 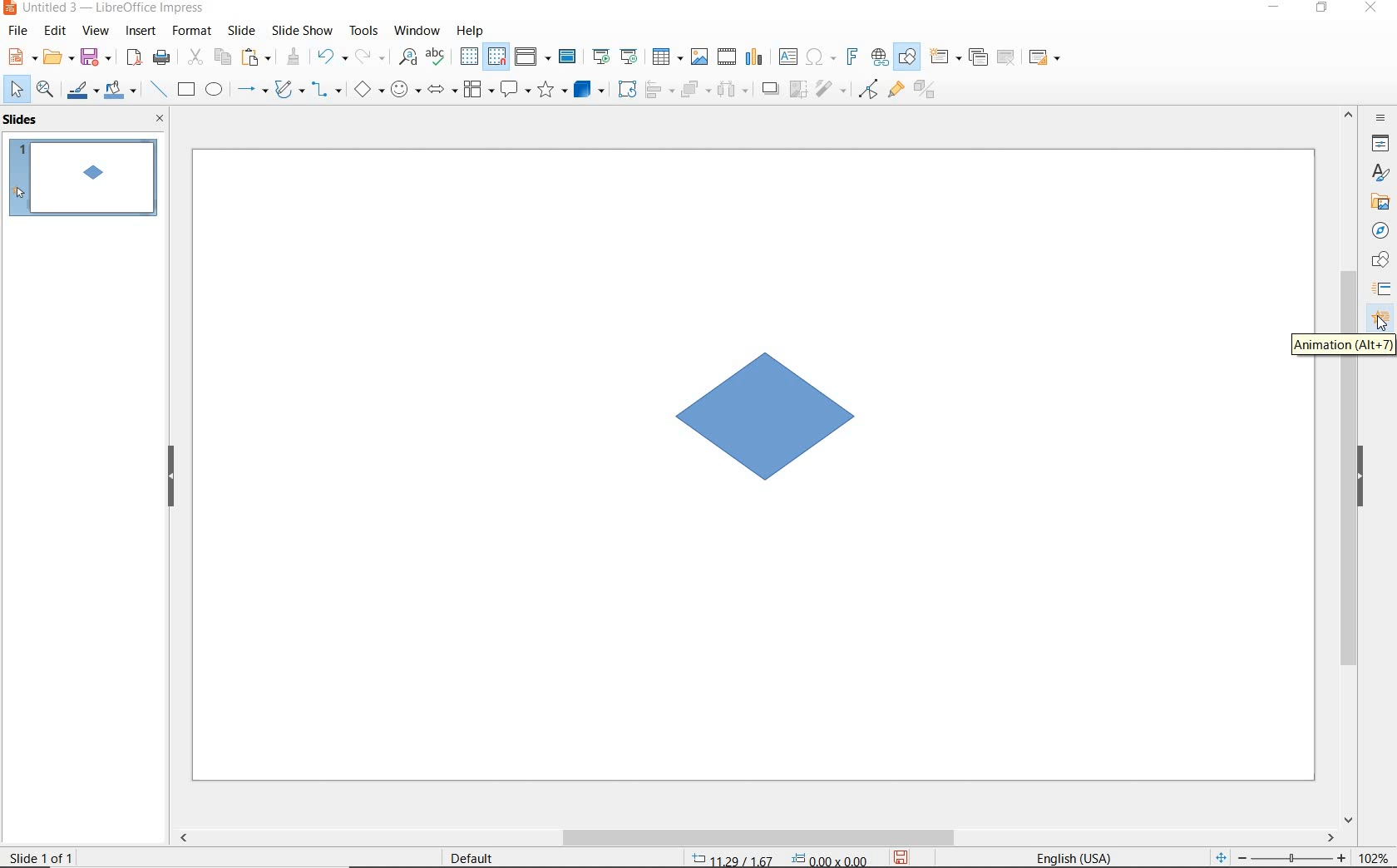 What do you see at coordinates (193, 32) in the screenshot?
I see `format` at bounding box center [193, 32].